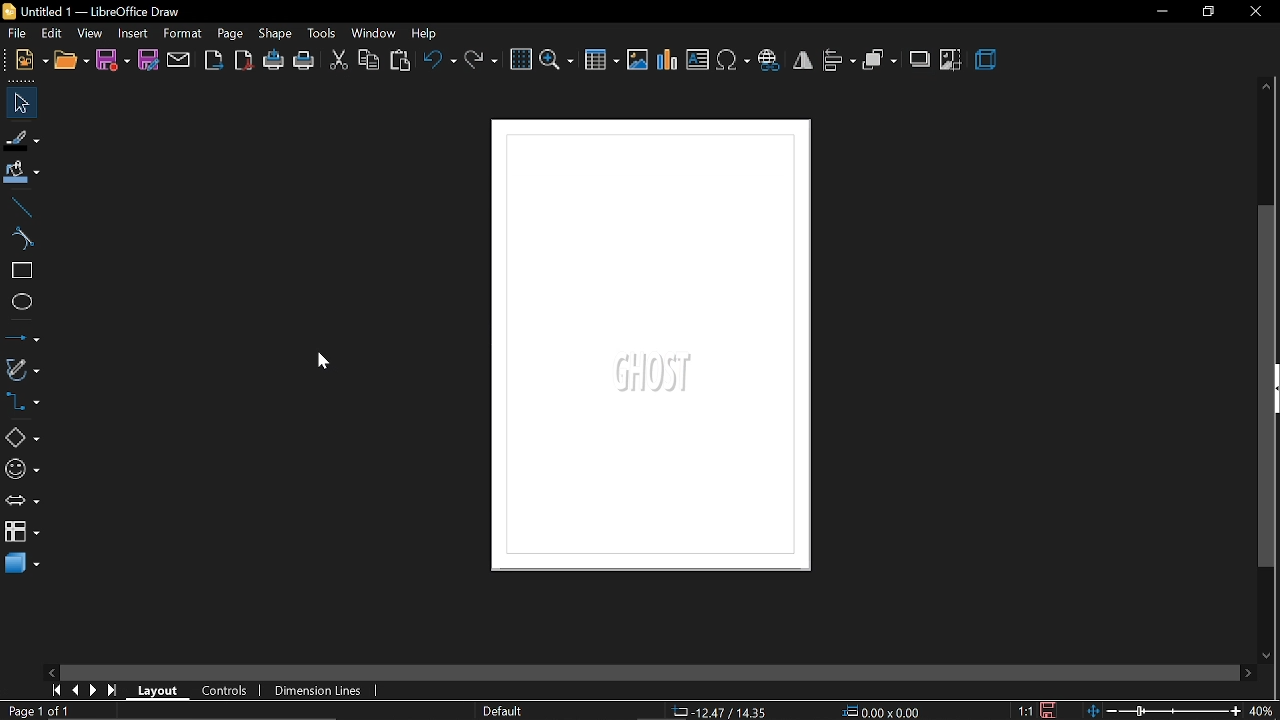 This screenshot has height=720, width=1280. What do you see at coordinates (439, 62) in the screenshot?
I see `undo` at bounding box center [439, 62].